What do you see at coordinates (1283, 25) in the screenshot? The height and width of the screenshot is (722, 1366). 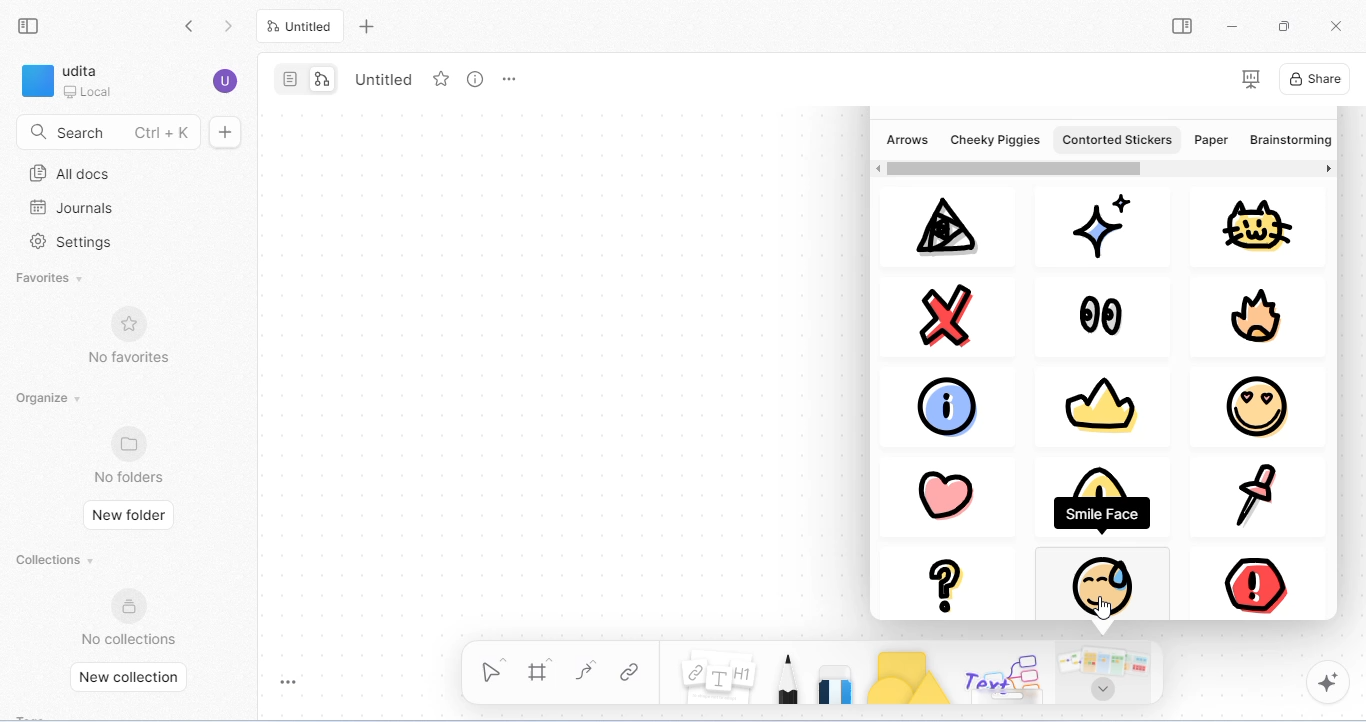 I see `maximize ` at bounding box center [1283, 25].